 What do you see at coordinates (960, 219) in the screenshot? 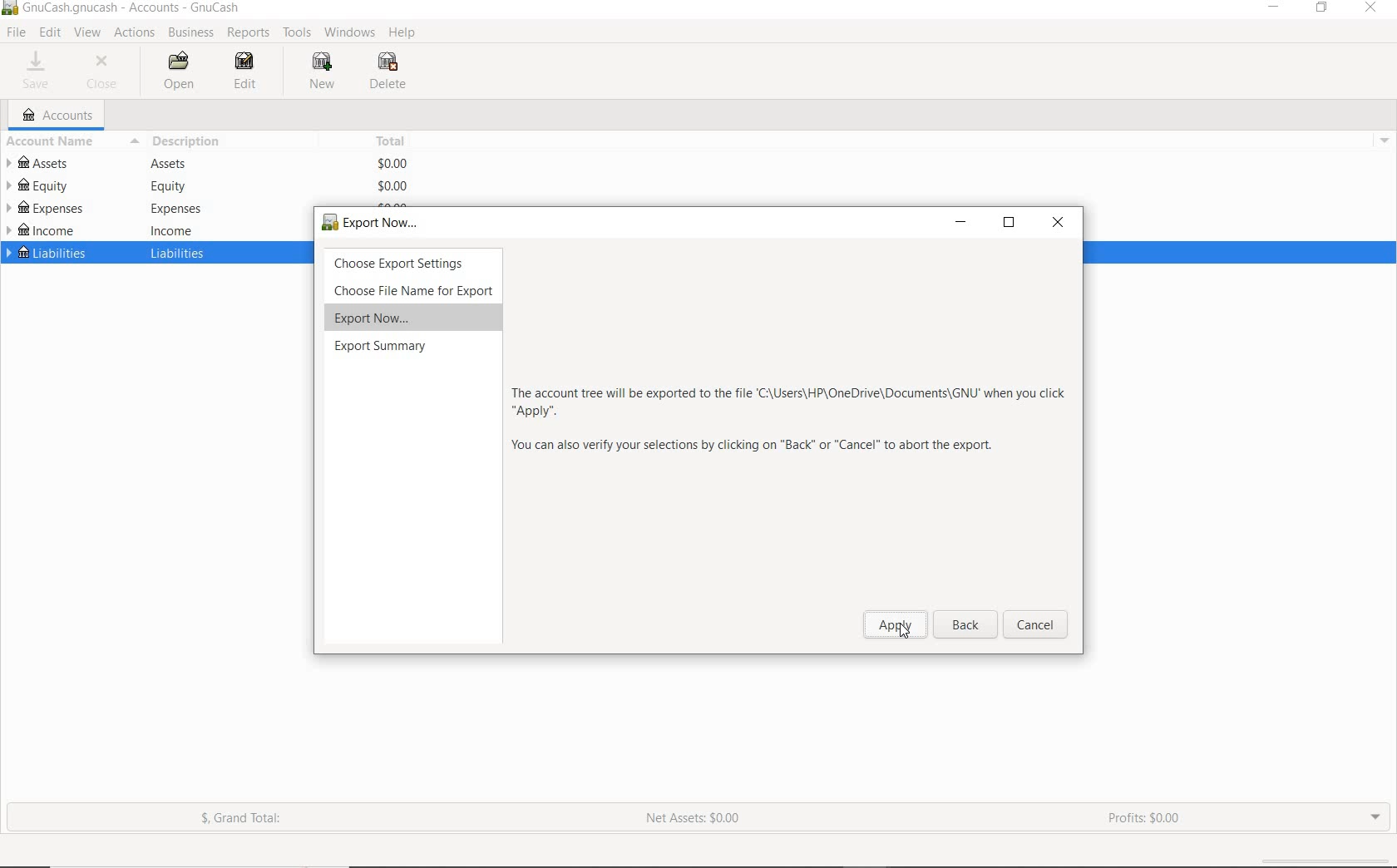
I see `minimize` at bounding box center [960, 219].